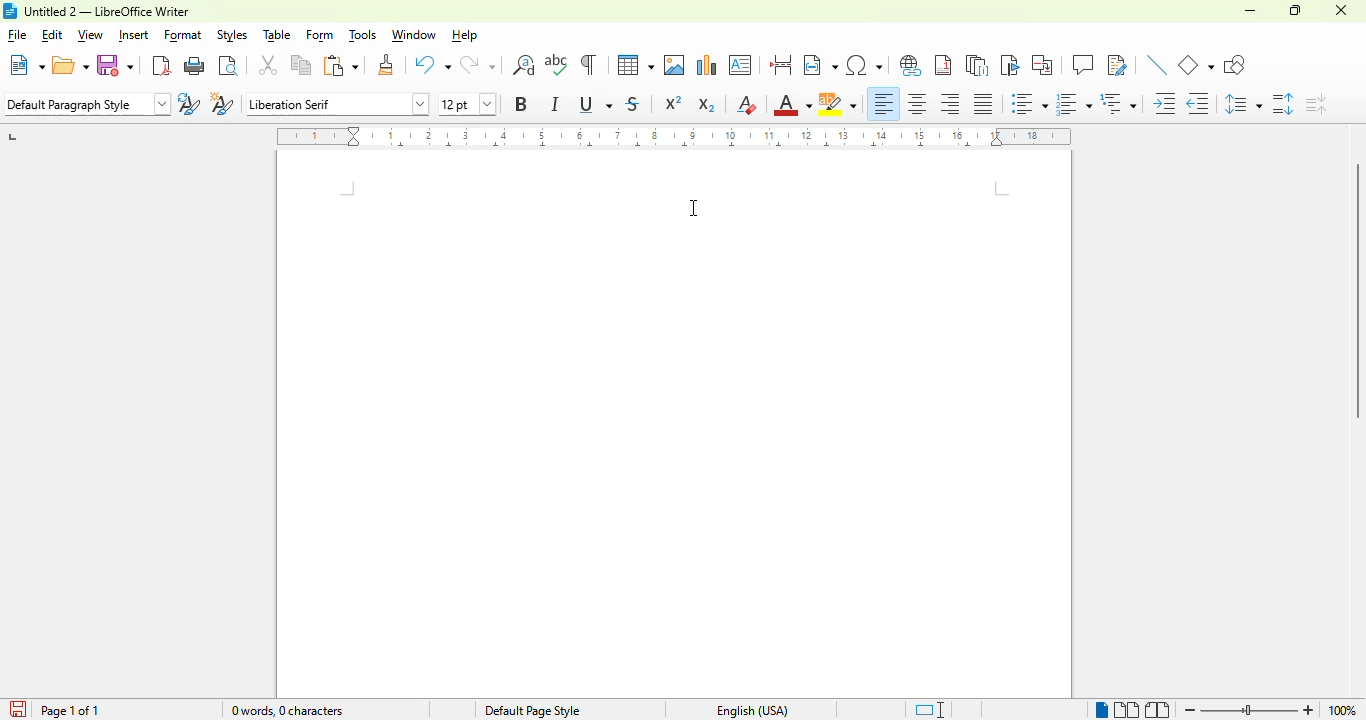 This screenshot has width=1366, height=720. I want to click on page 1 of 1, so click(70, 711).